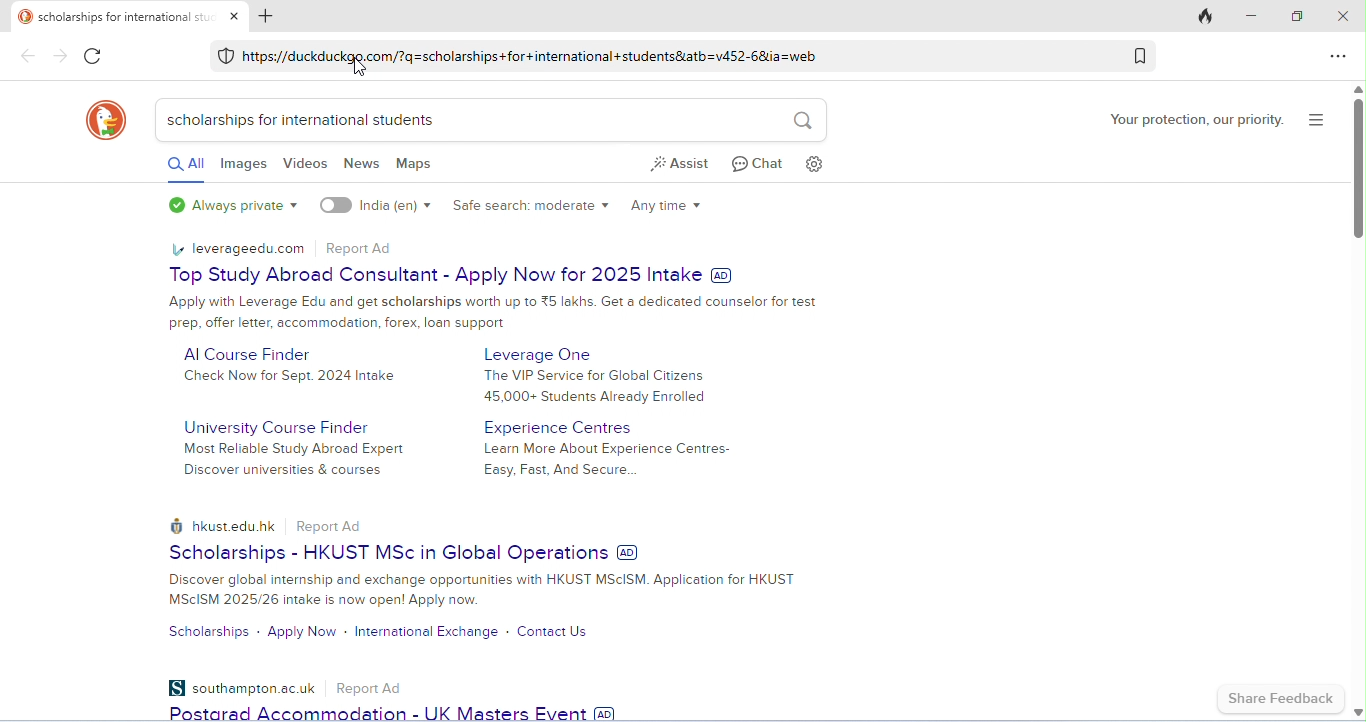 This screenshot has width=1366, height=722. What do you see at coordinates (544, 54) in the screenshot?
I see `hitps://duckduckgo.com/2q=scholarships +for +international +studentstatb=v452-68ia=web` at bounding box center [544, 54].